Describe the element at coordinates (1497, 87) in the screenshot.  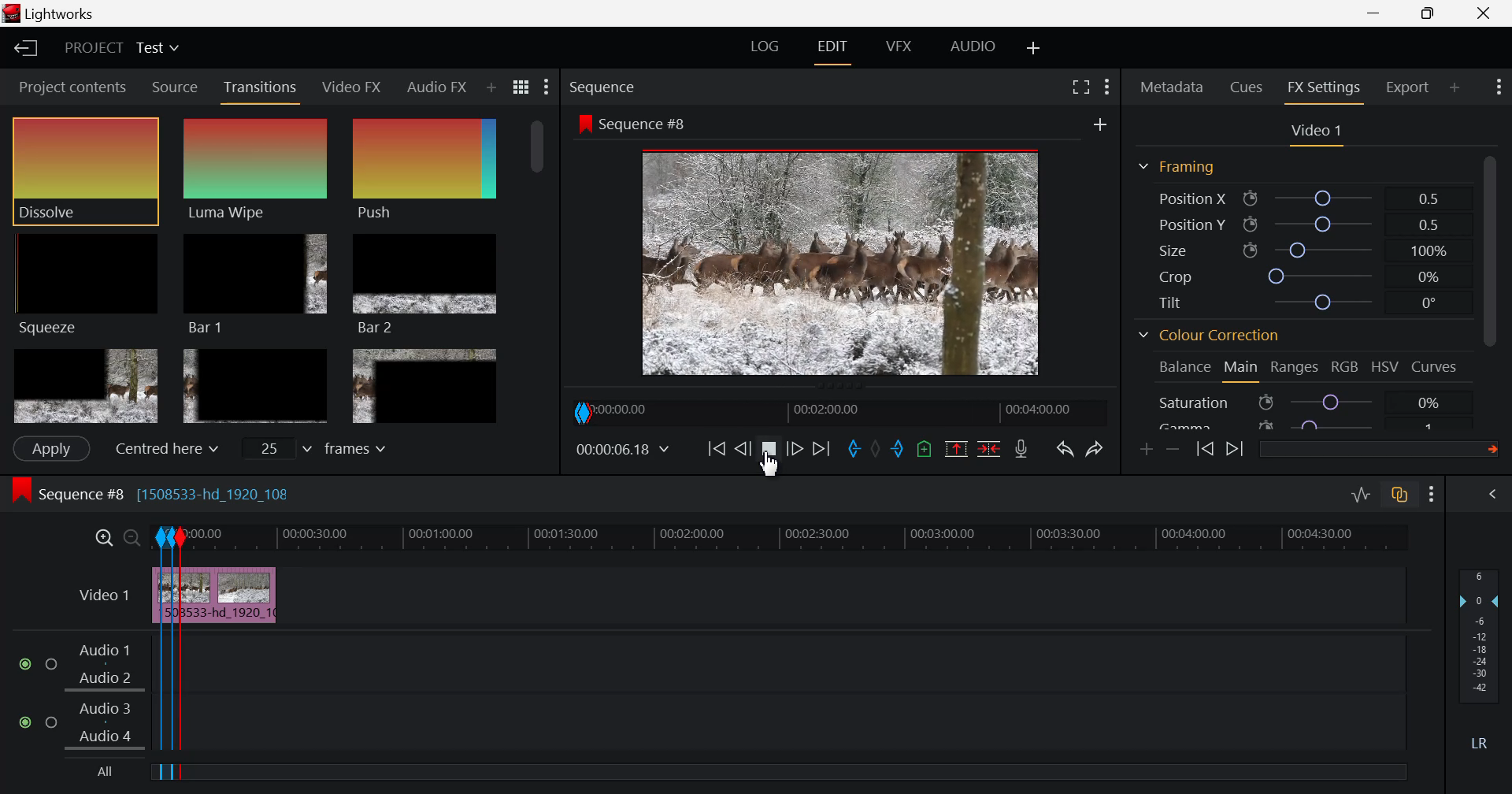
I see `Show Settings` at that location.